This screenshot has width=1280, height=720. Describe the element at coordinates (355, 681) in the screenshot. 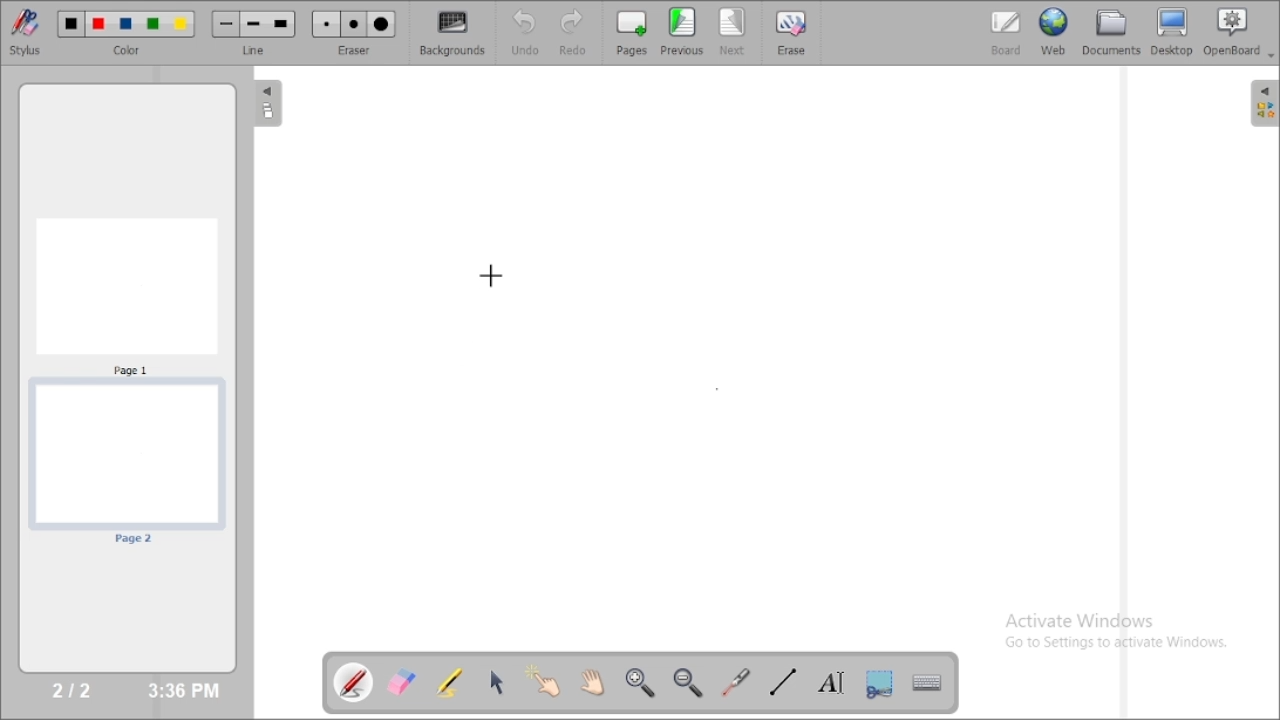

I see `annotate document` at that location.